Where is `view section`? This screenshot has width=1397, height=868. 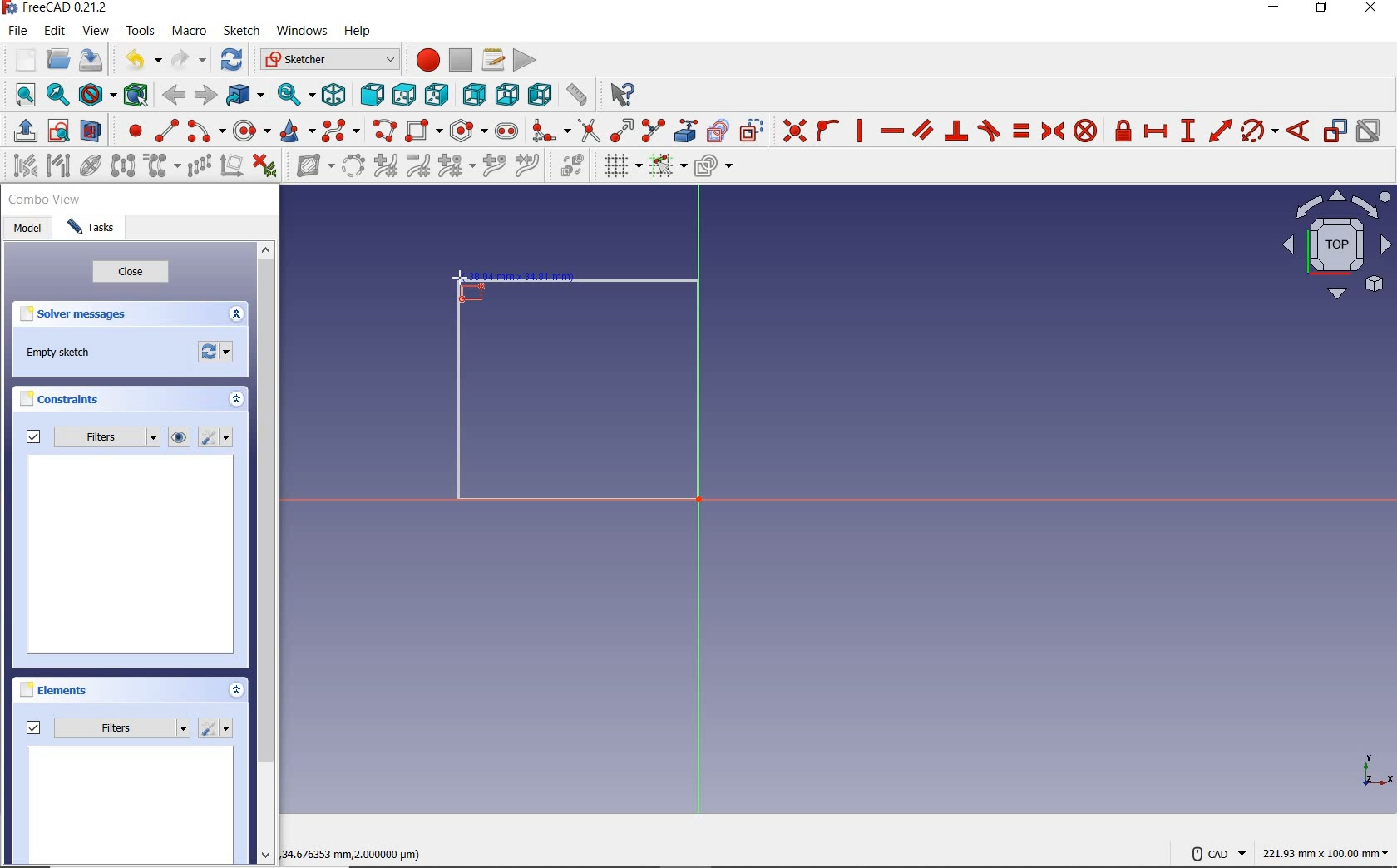 view section is located at coordinates (91, 131).